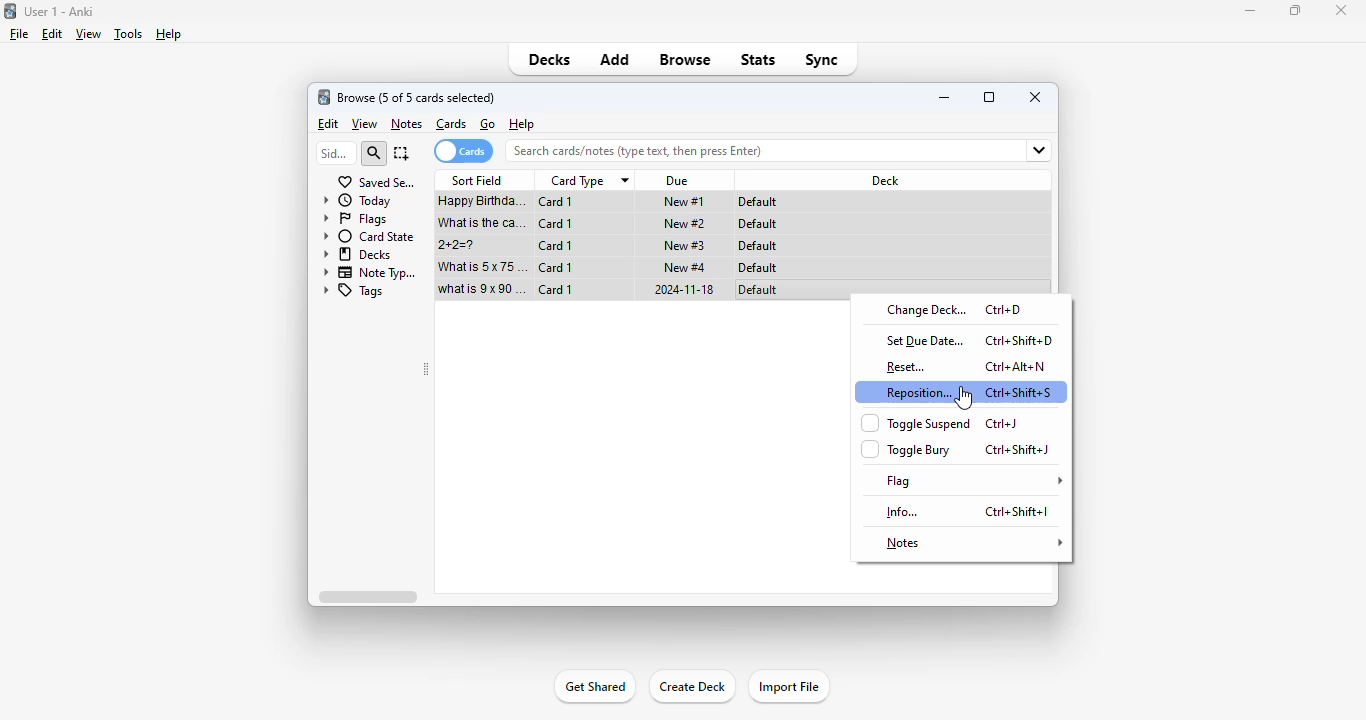 The width and height of the screenshot is (1366, 720). I want to click on cards, so click(451, 124).